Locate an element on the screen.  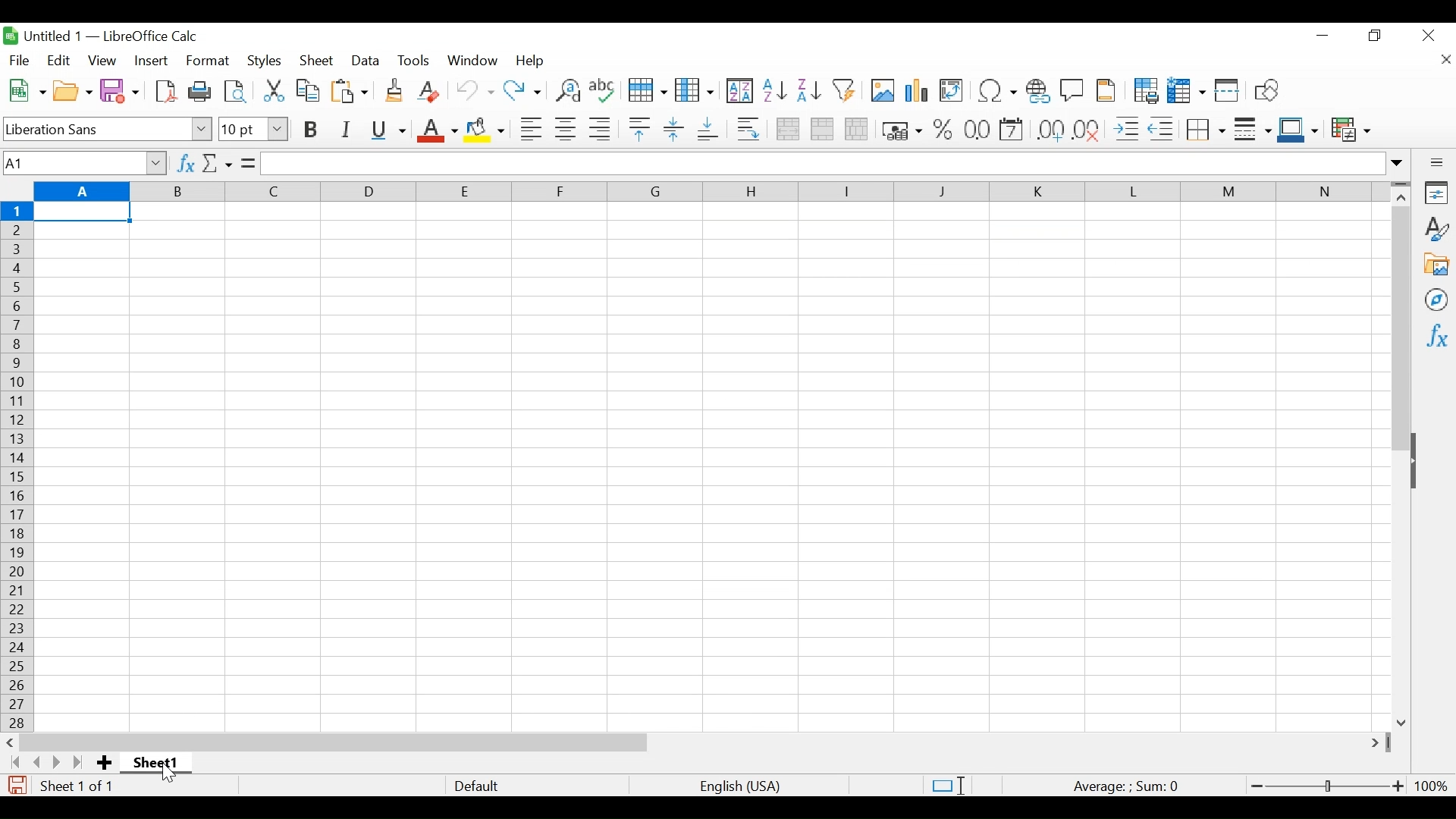
Cursor is located at coordinates (170, 774).